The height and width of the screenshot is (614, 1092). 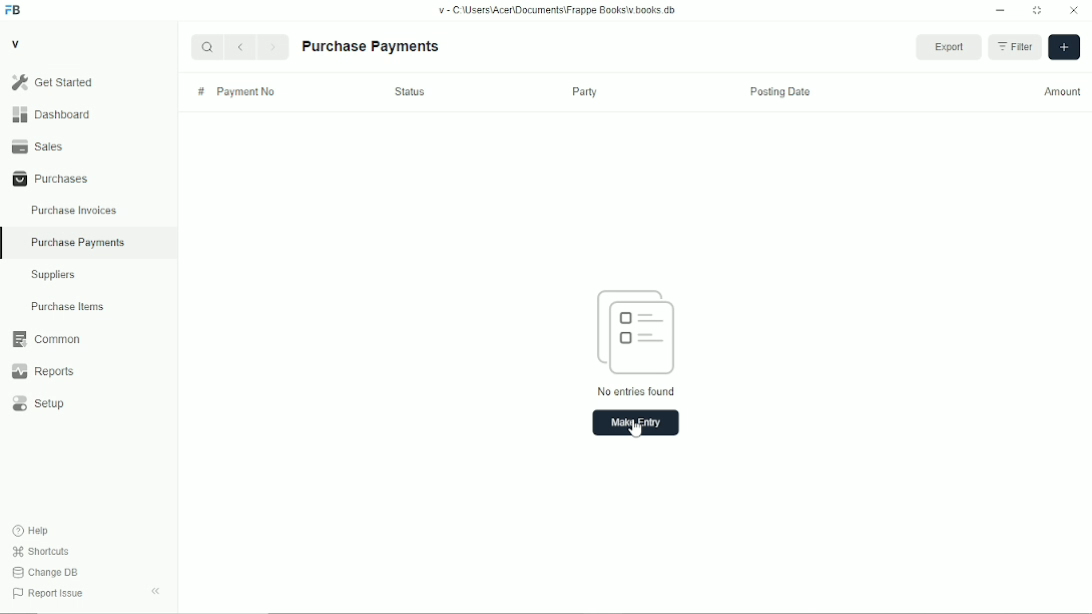 I want to click on Close, so click(x=1074, y=10).